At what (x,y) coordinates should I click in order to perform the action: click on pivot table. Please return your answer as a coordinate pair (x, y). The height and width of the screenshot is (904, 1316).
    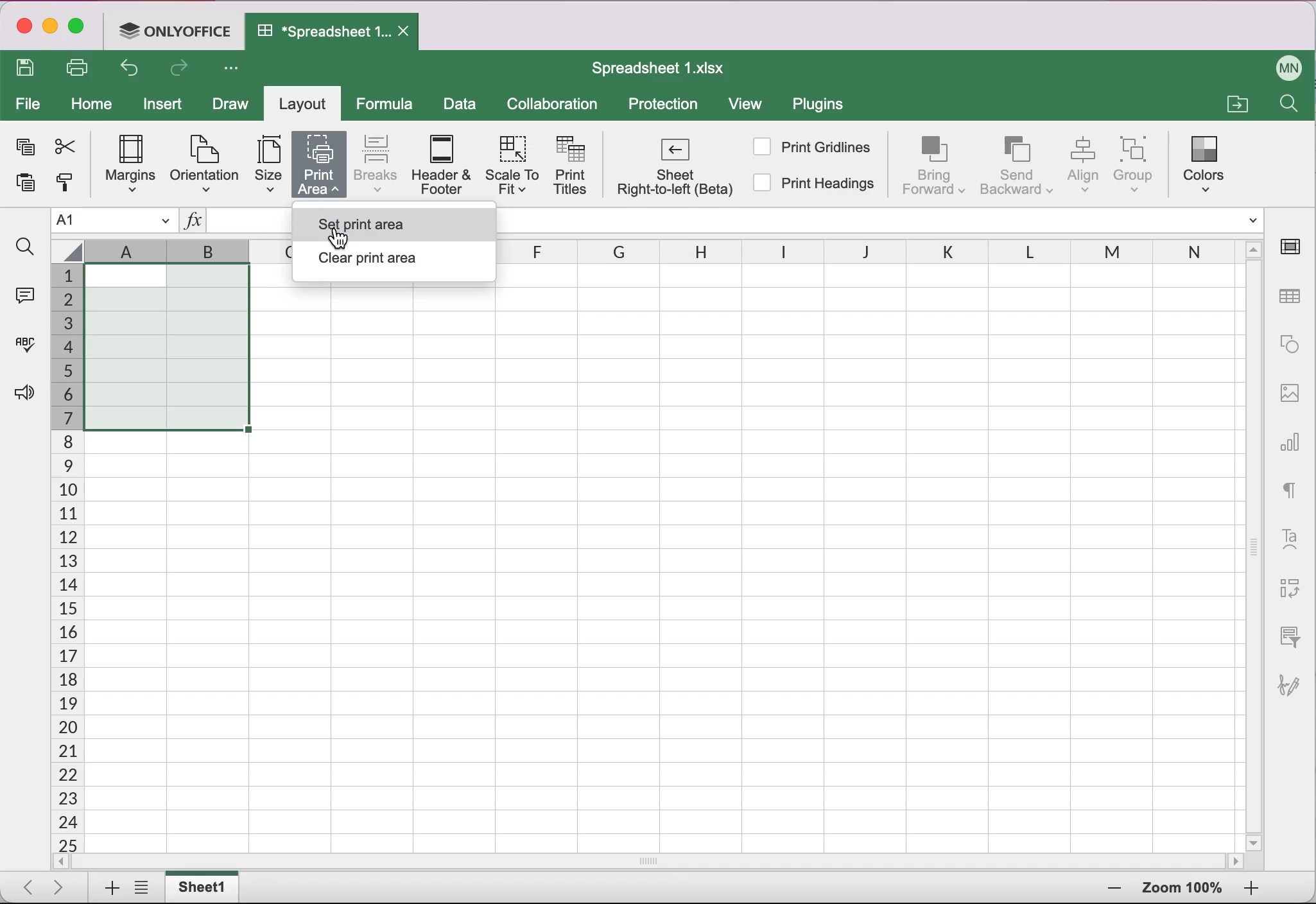
    Looking at the image, I should click on (1287, 589).